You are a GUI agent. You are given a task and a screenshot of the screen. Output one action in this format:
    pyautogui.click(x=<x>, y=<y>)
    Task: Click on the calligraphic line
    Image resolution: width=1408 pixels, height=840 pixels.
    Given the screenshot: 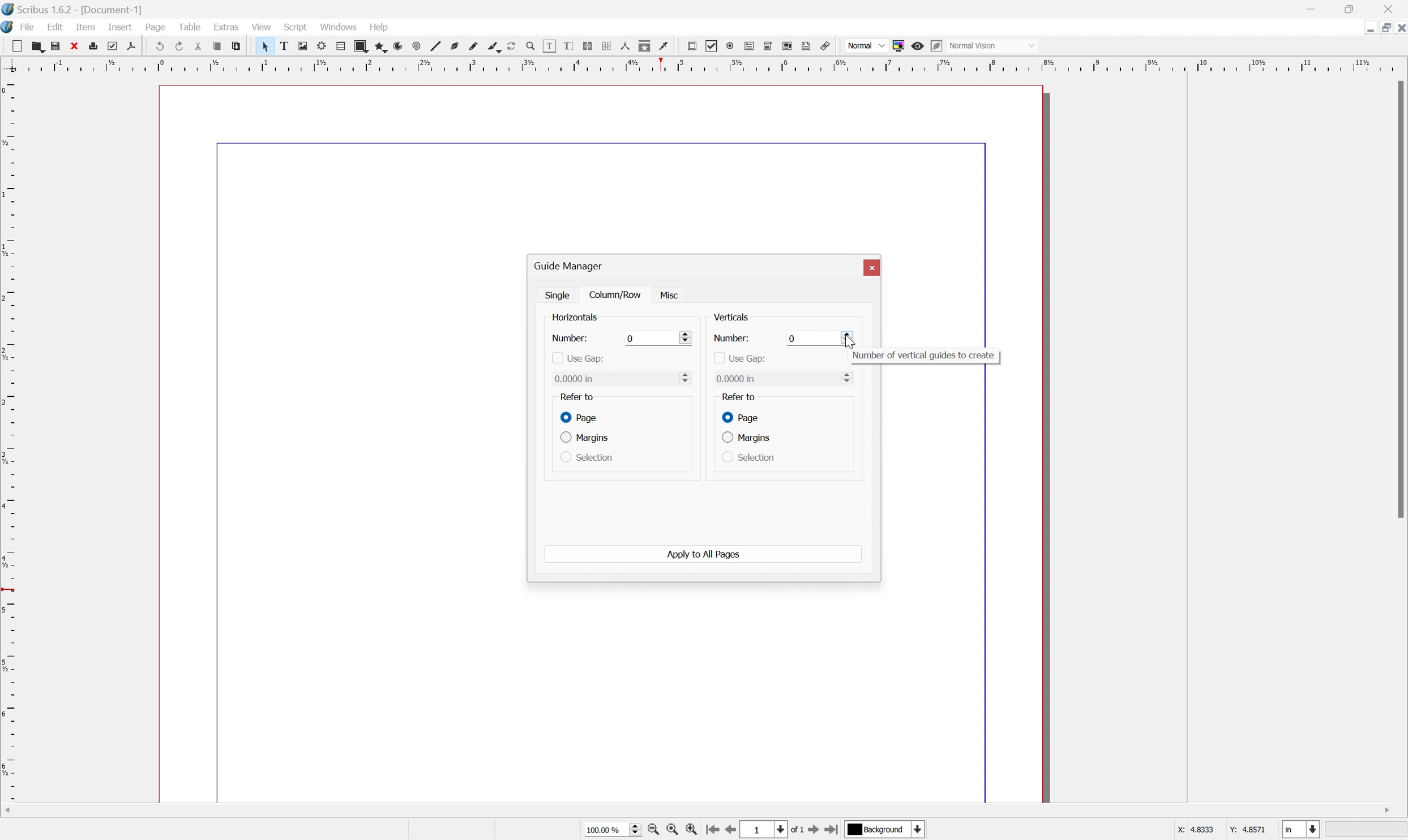 What is the action you would take?
    pyautogui.click(x=493, y=45)
    